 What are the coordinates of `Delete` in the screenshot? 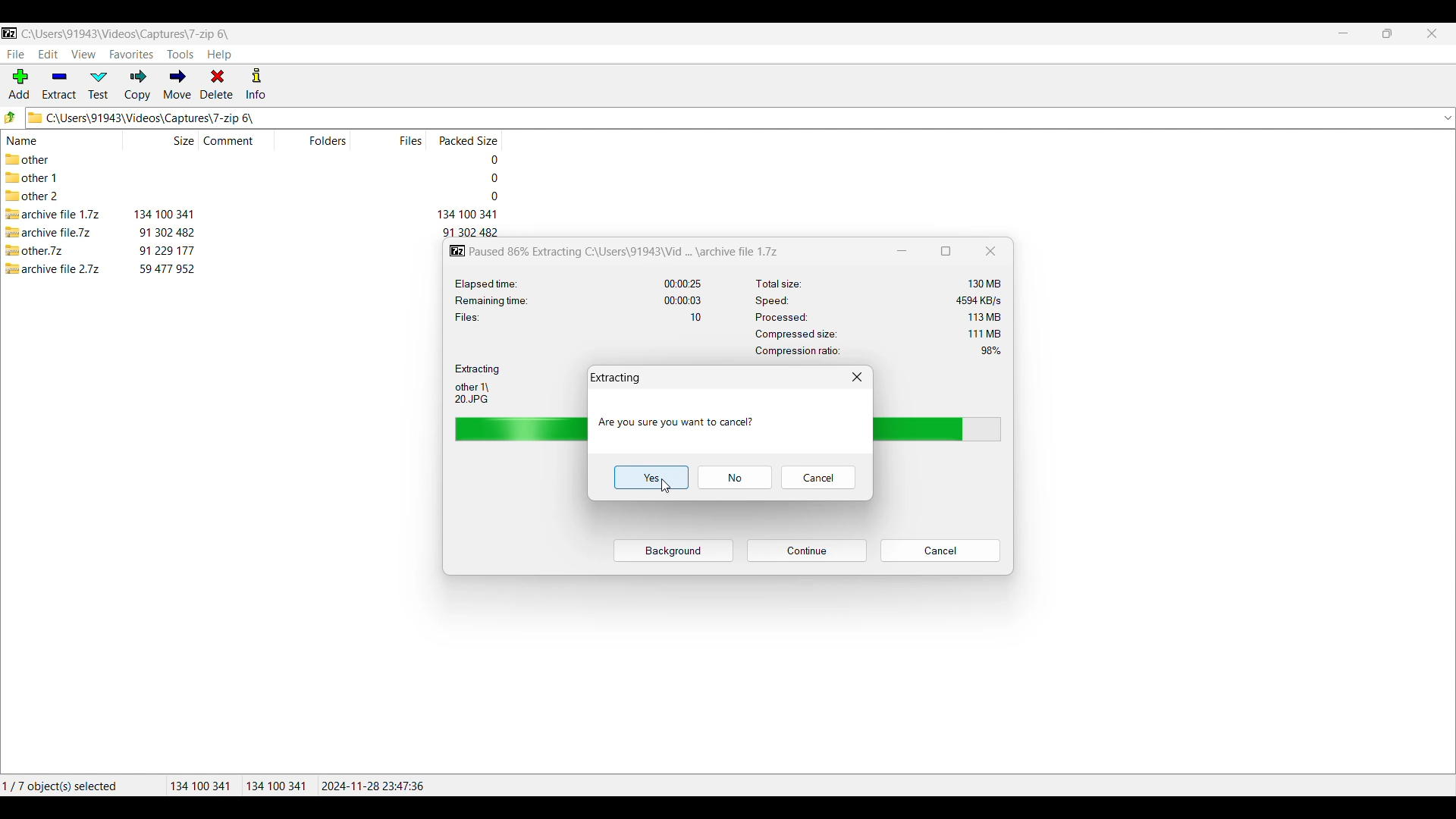 It's located at (217, 83).